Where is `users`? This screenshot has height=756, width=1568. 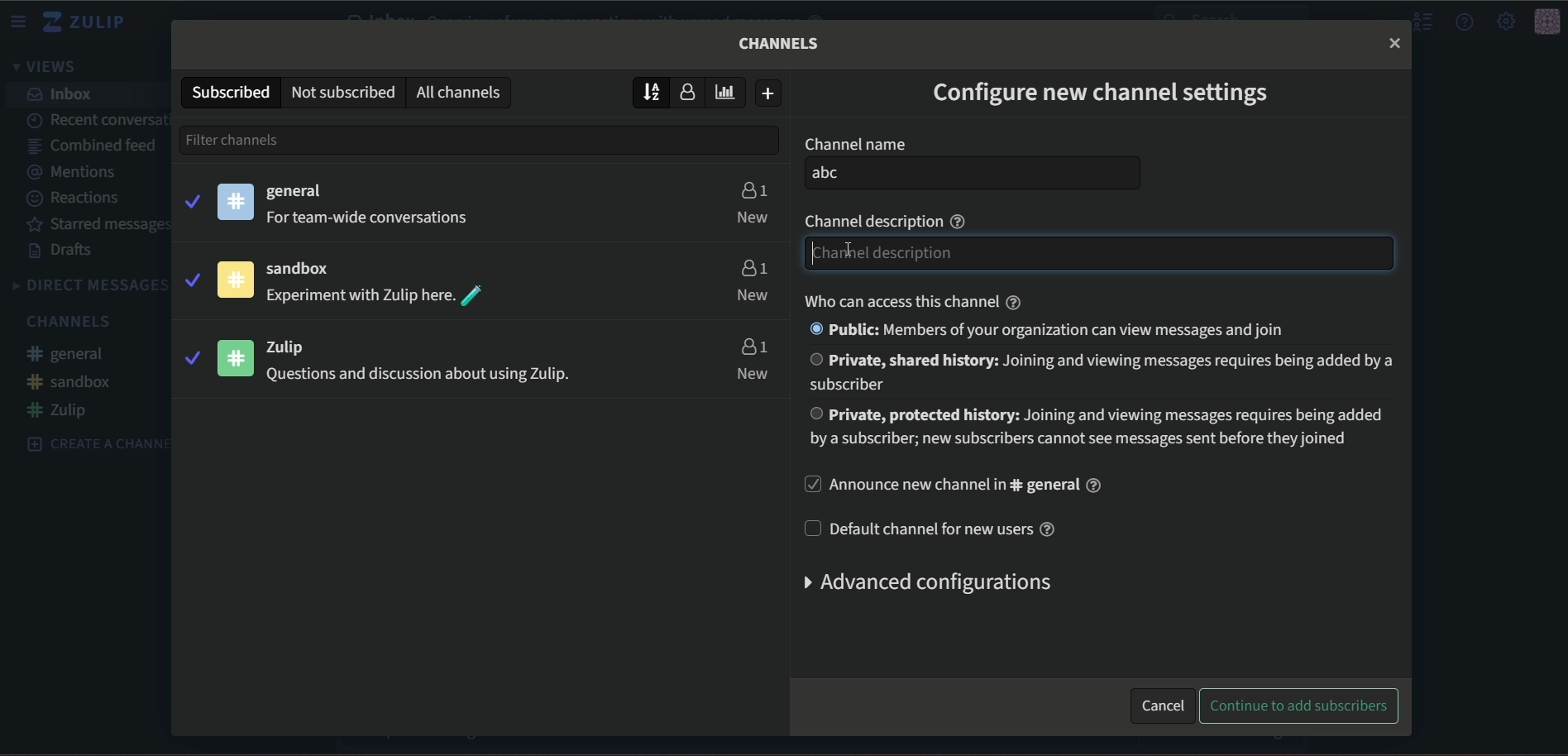 users is located at coordinates (752, 266).